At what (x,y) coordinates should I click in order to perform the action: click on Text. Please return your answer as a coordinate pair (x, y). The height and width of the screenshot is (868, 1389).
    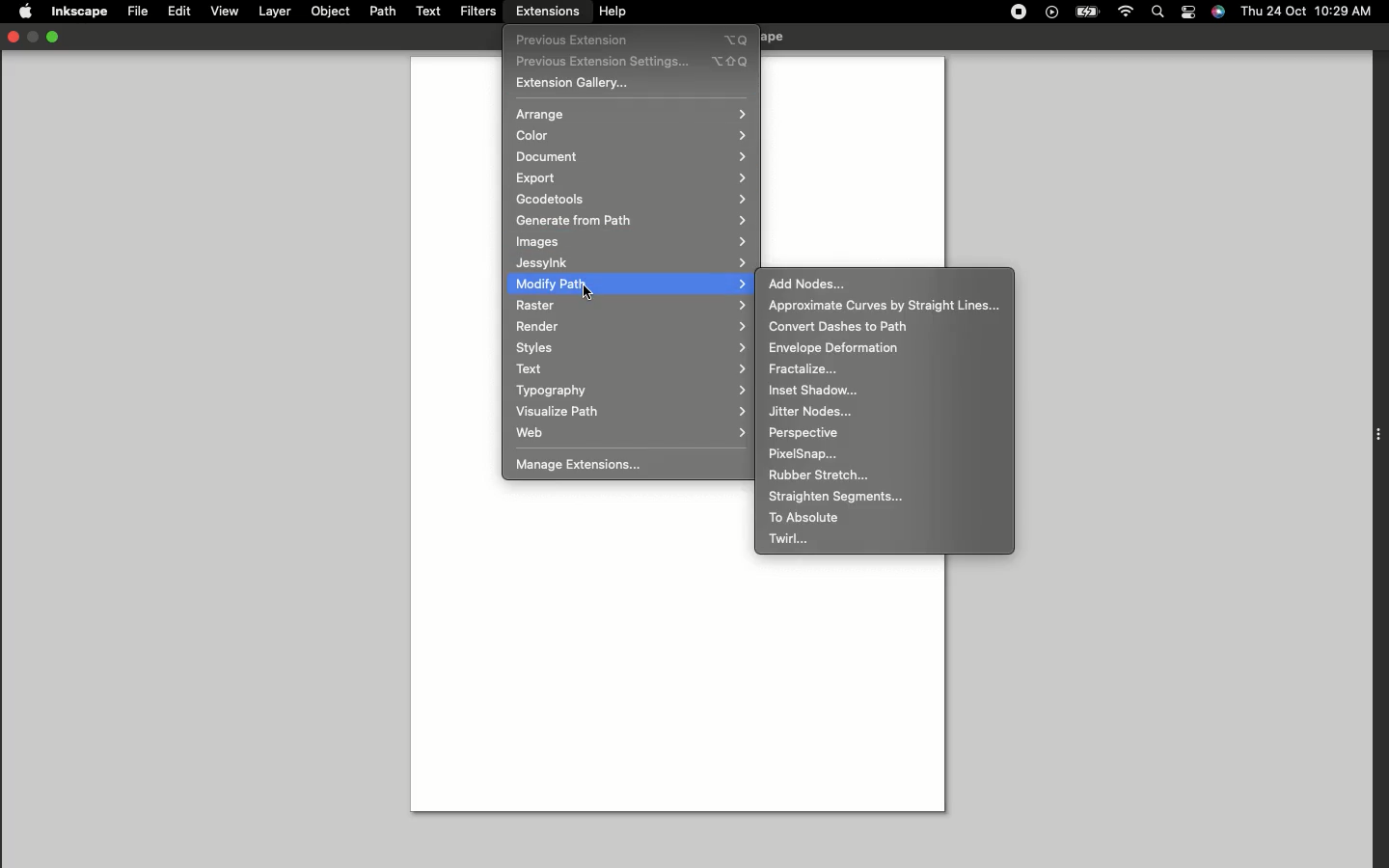
    Looking at the image, I should click on (430, 12).